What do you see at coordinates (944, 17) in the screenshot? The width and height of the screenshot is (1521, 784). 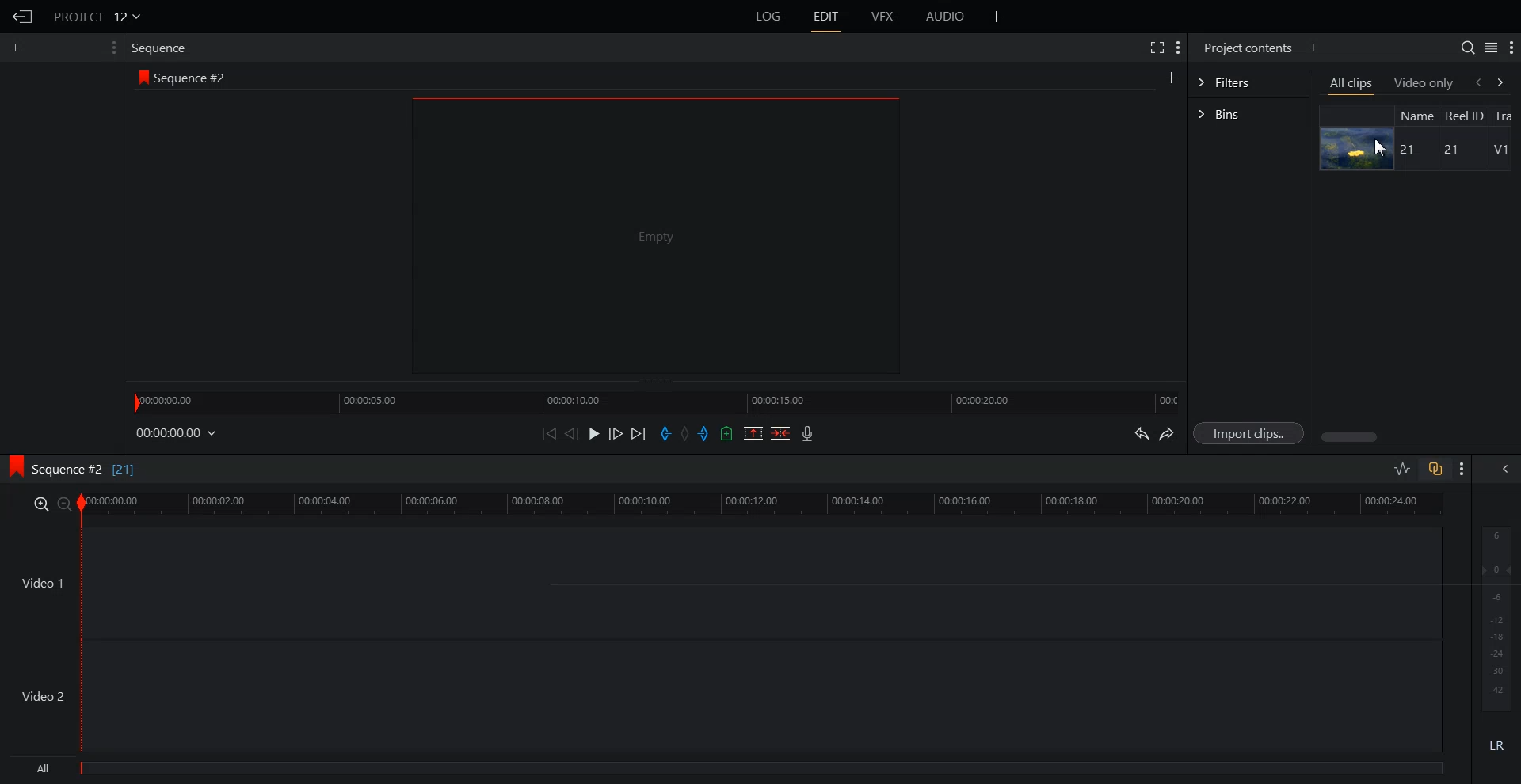 I see `AUDIO` at bounding box center [944, 17].